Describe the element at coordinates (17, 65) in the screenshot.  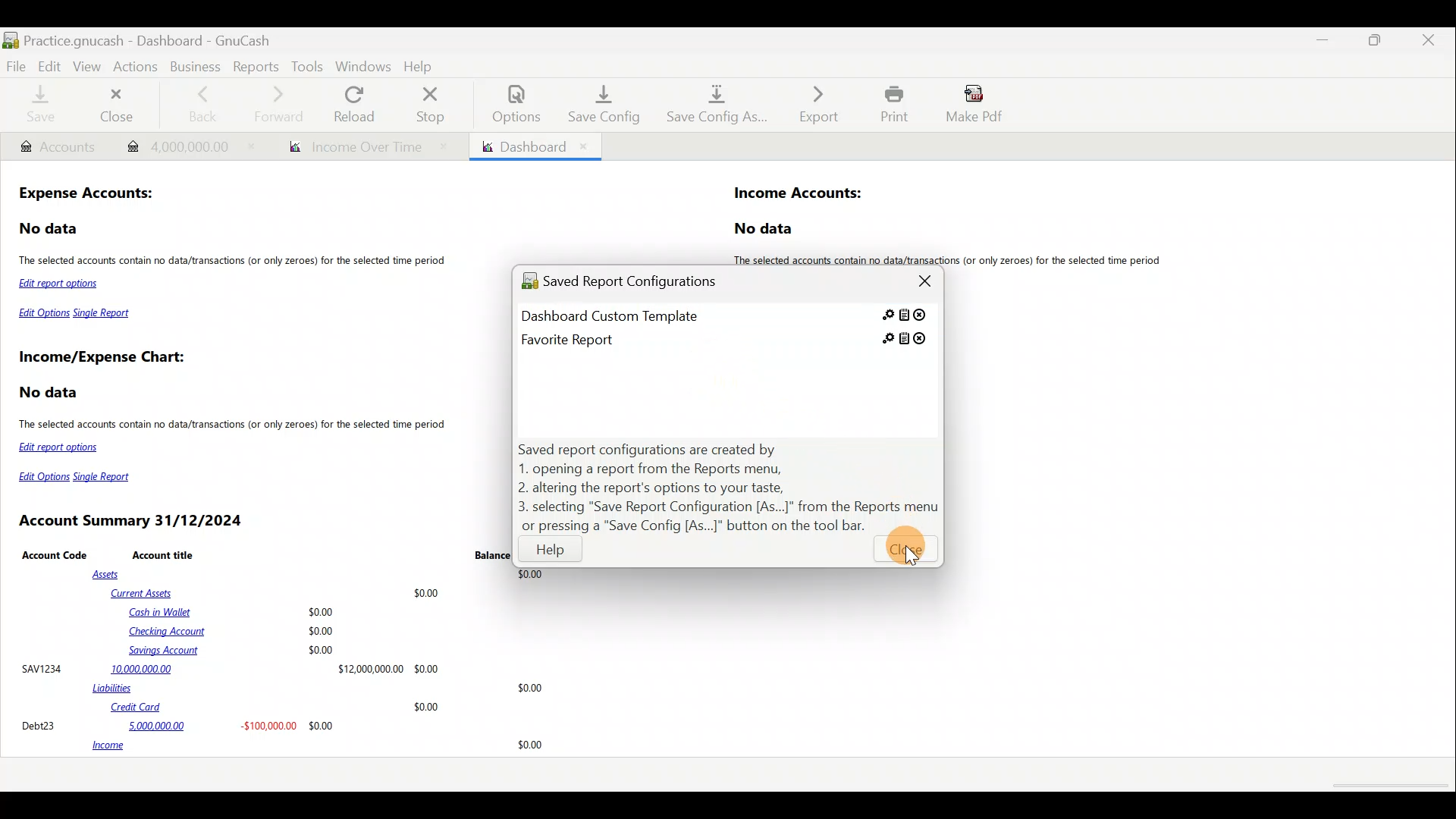
I see `File` at that location.